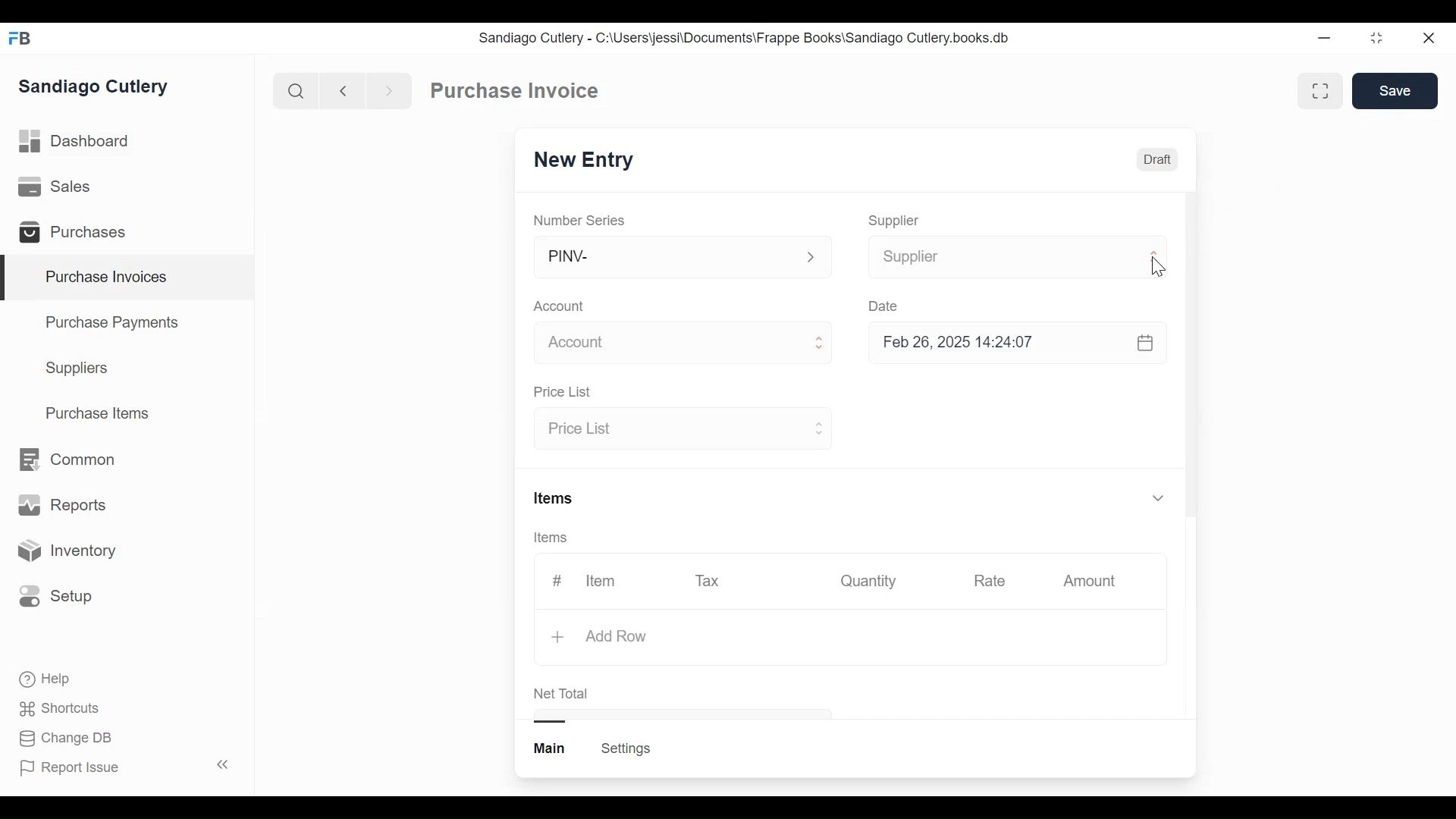  I want to click on Supplier, so click(894, 221).